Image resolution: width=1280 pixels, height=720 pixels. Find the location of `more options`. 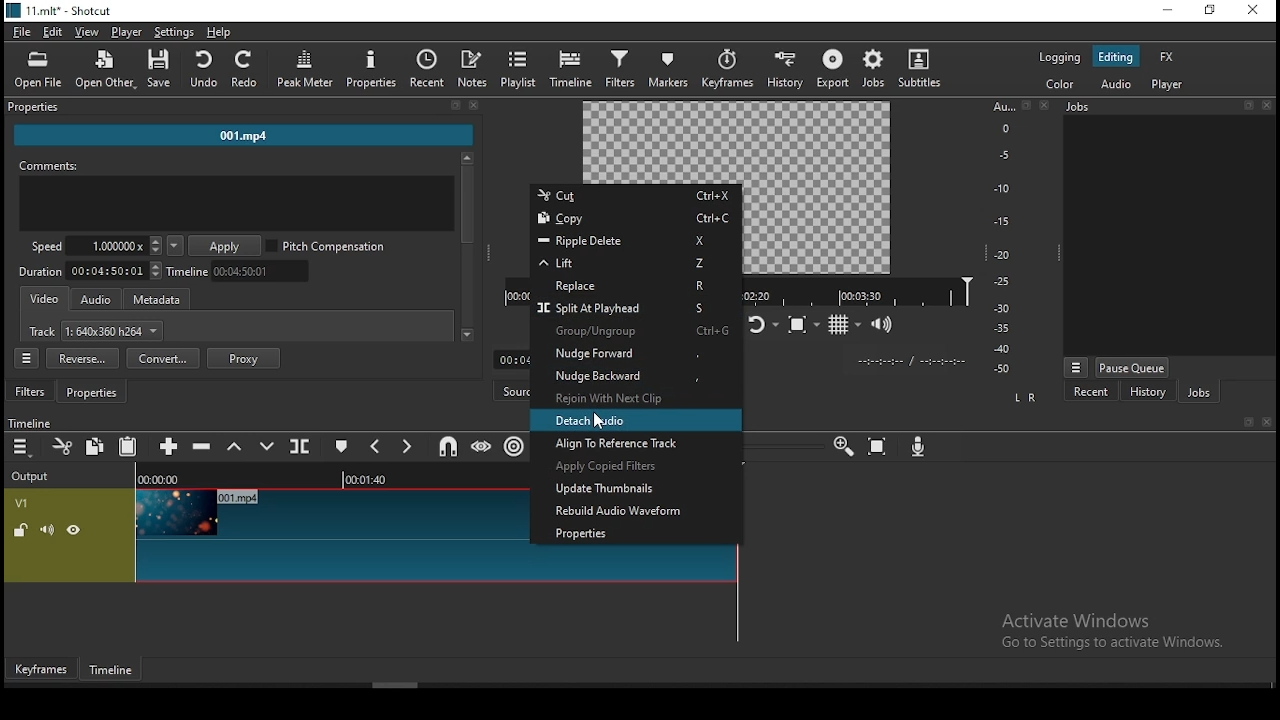

more options is located at coordinates (1074, 367).